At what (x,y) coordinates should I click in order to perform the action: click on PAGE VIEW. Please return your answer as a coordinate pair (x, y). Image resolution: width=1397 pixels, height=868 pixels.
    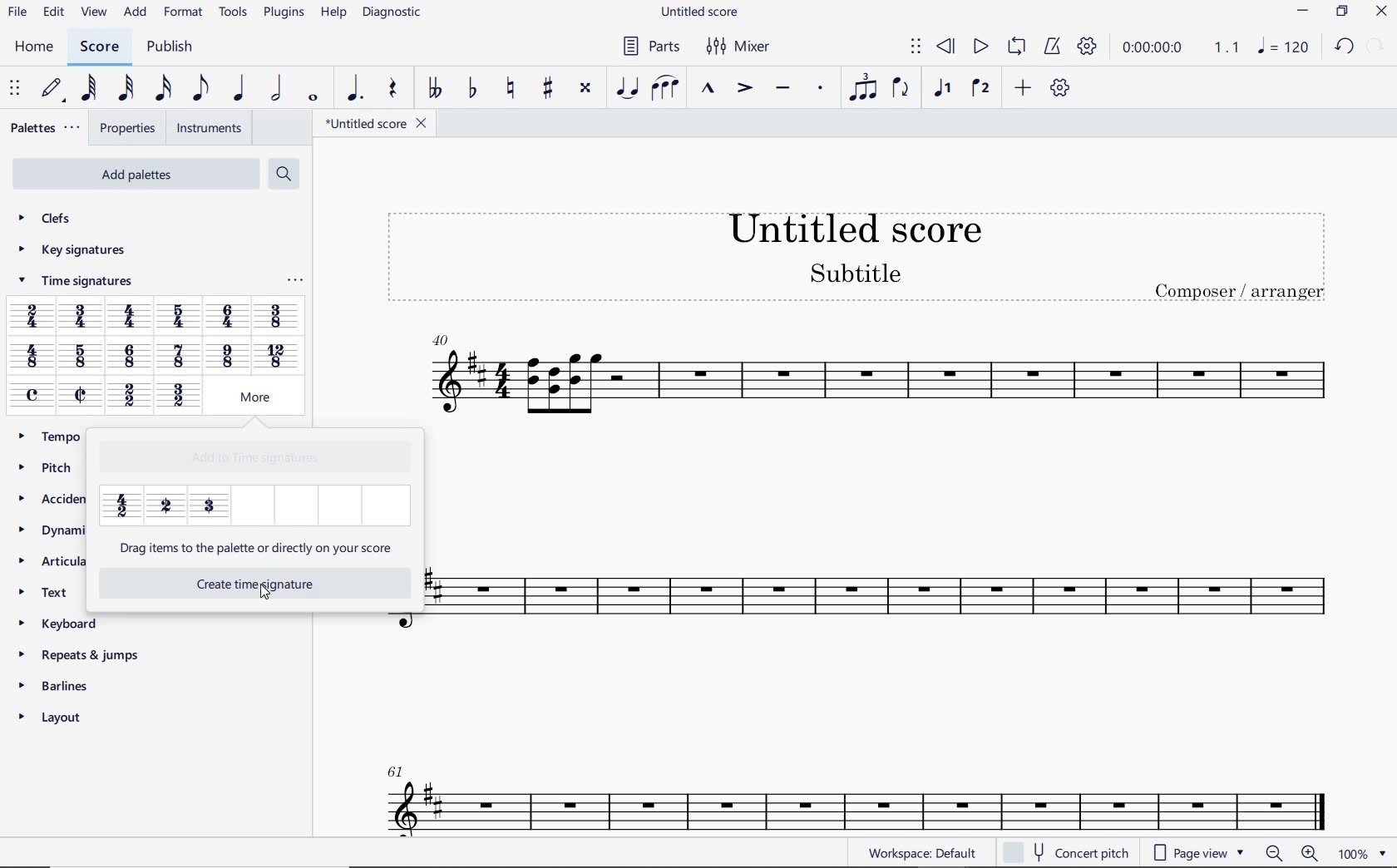
    Looking at the image, I should click on (1196, 854).